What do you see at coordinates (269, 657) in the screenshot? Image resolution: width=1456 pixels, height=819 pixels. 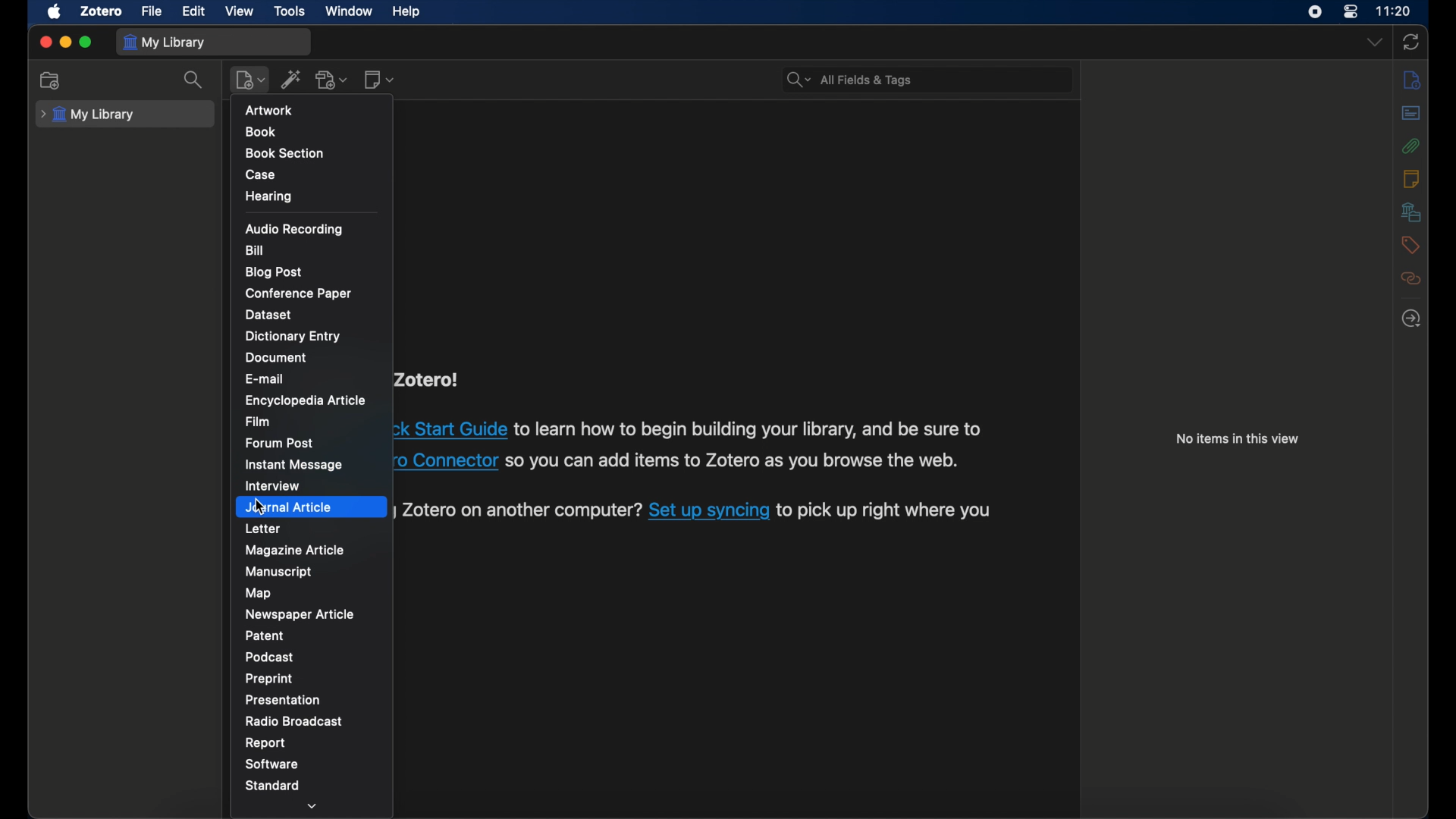 I see `podcast` at bounding box center [269, 657].